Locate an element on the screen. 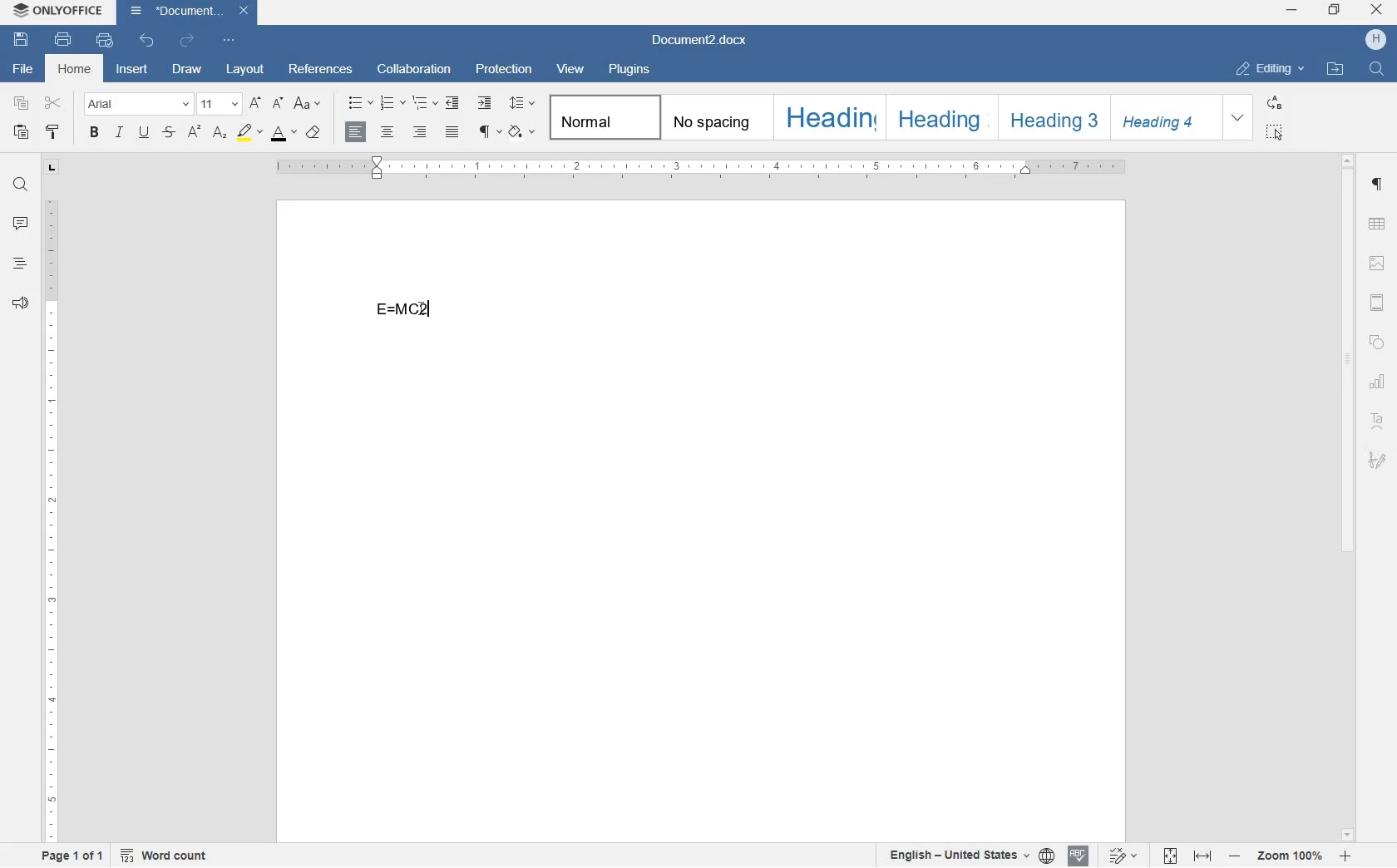 This screenshot has height=868, width=1397. chart is located at coordinates (1380, 384).